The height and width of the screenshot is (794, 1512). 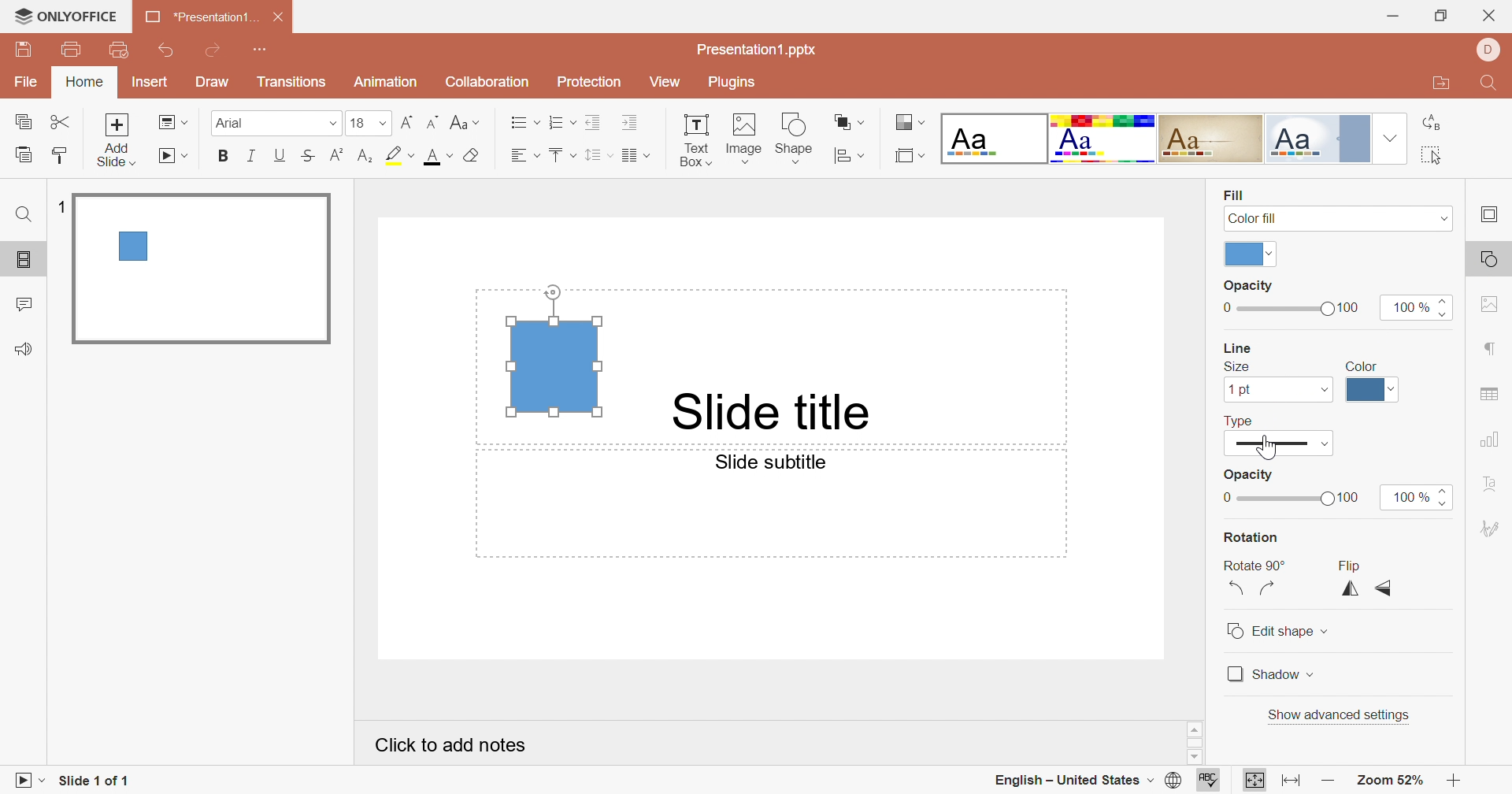 I want to click on English - United States, so click(x=1069, y=779).